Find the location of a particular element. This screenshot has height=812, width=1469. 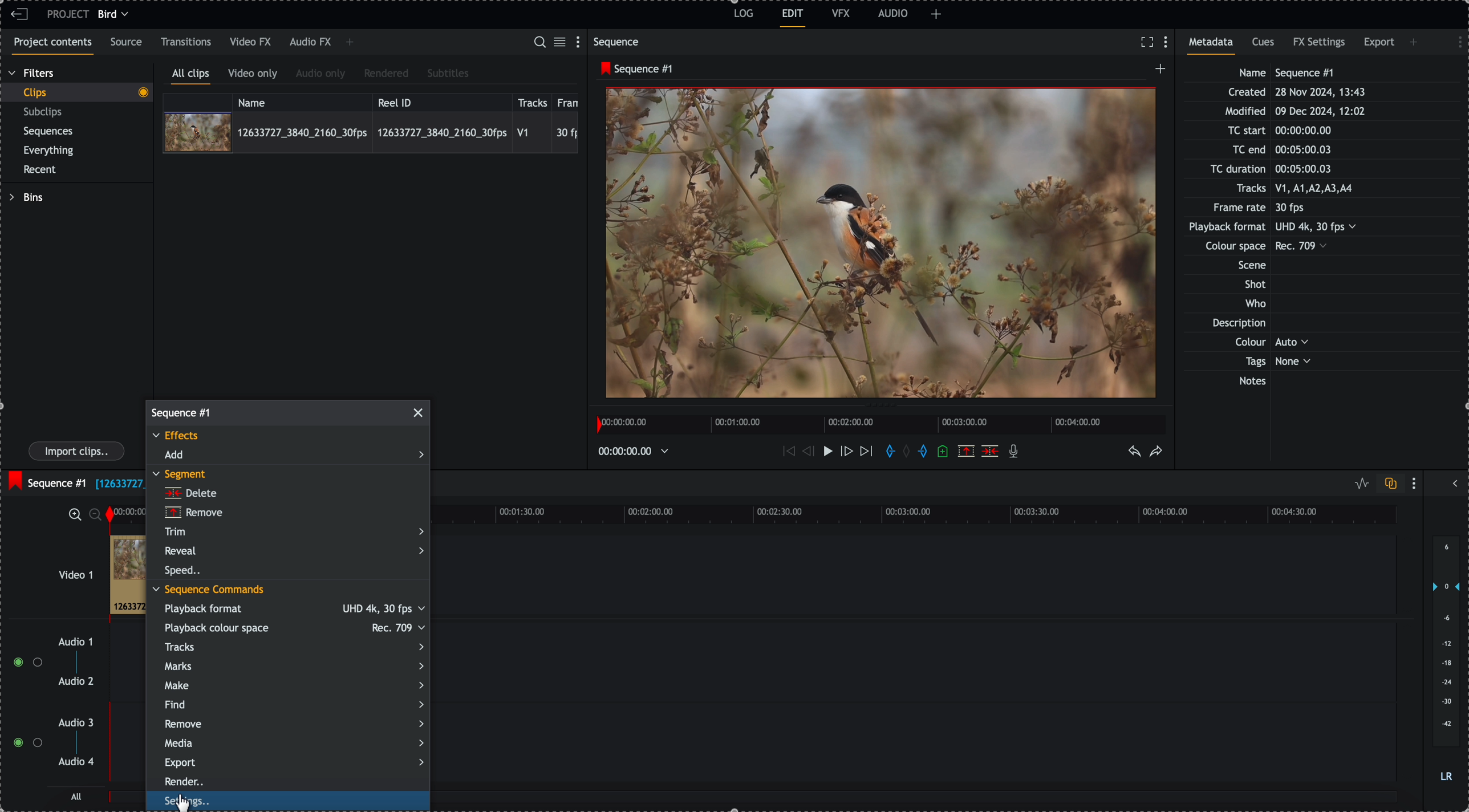

delete is located at coordinates (190, 493).